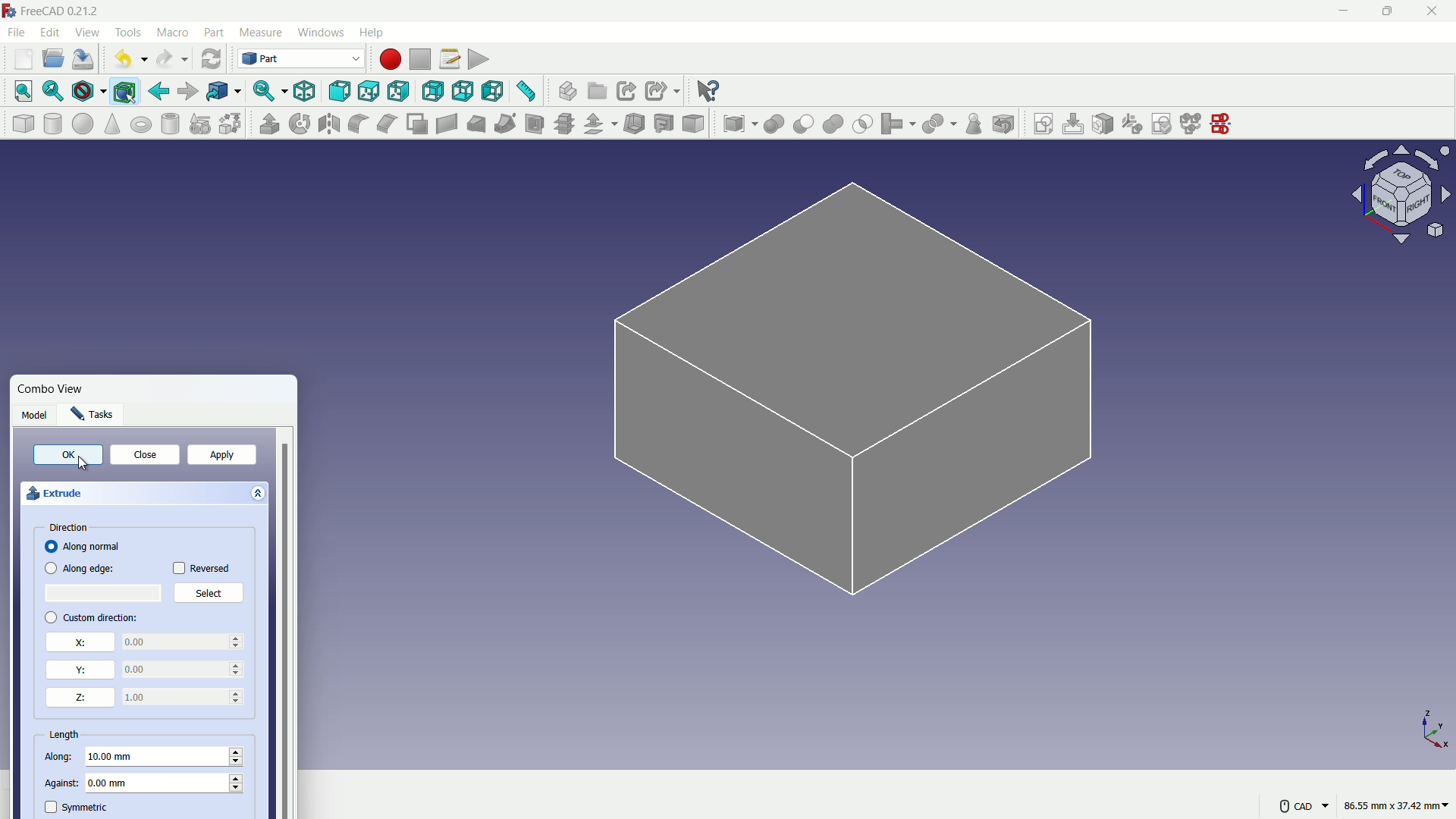 Image resolution: width=1456 pixels, height=819 pixels. I want to click on execute macro, so click(478, 58).